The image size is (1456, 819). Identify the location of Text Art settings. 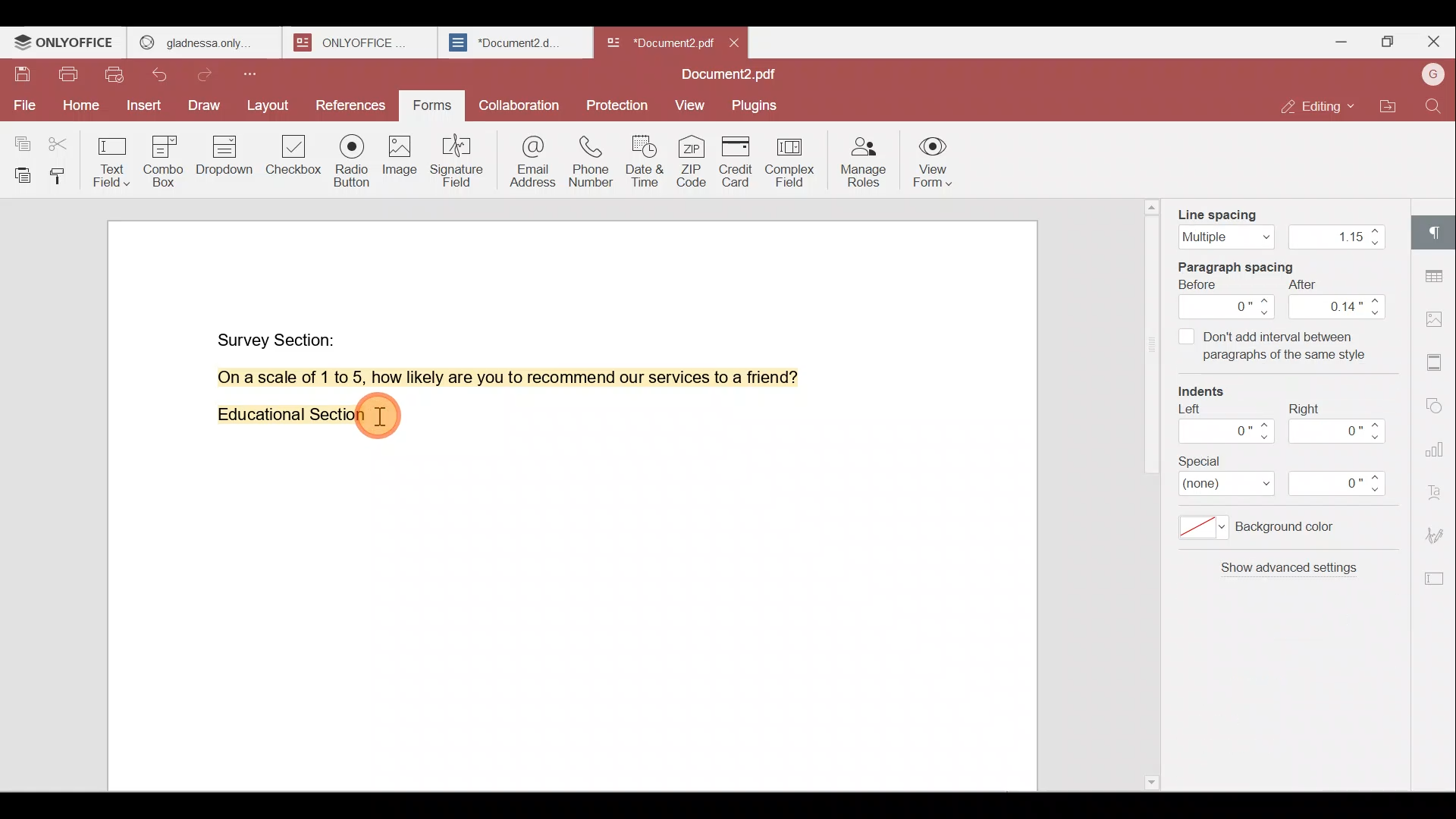
(1437, 488).